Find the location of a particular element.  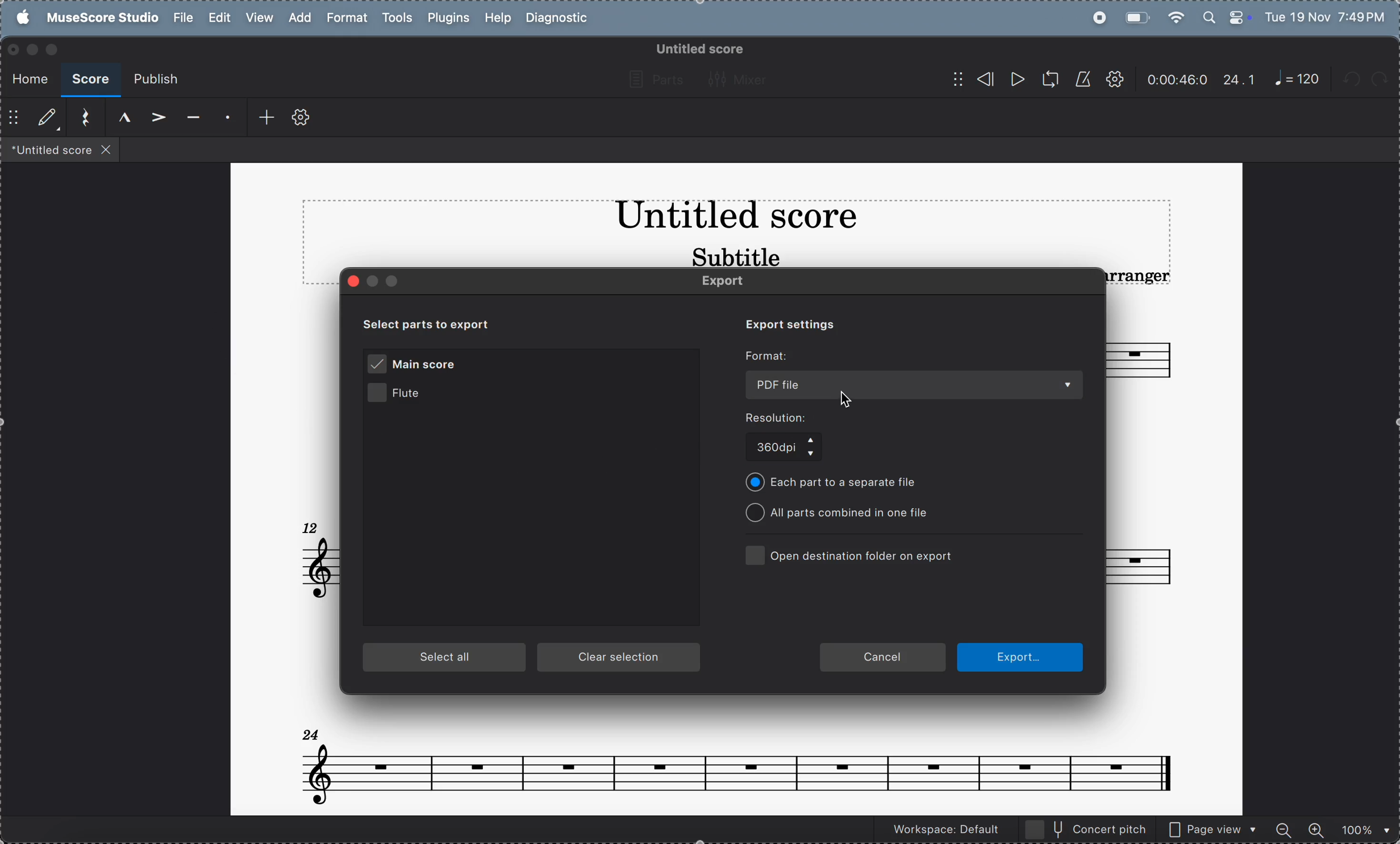

Export is located at coordinates (733, 282).